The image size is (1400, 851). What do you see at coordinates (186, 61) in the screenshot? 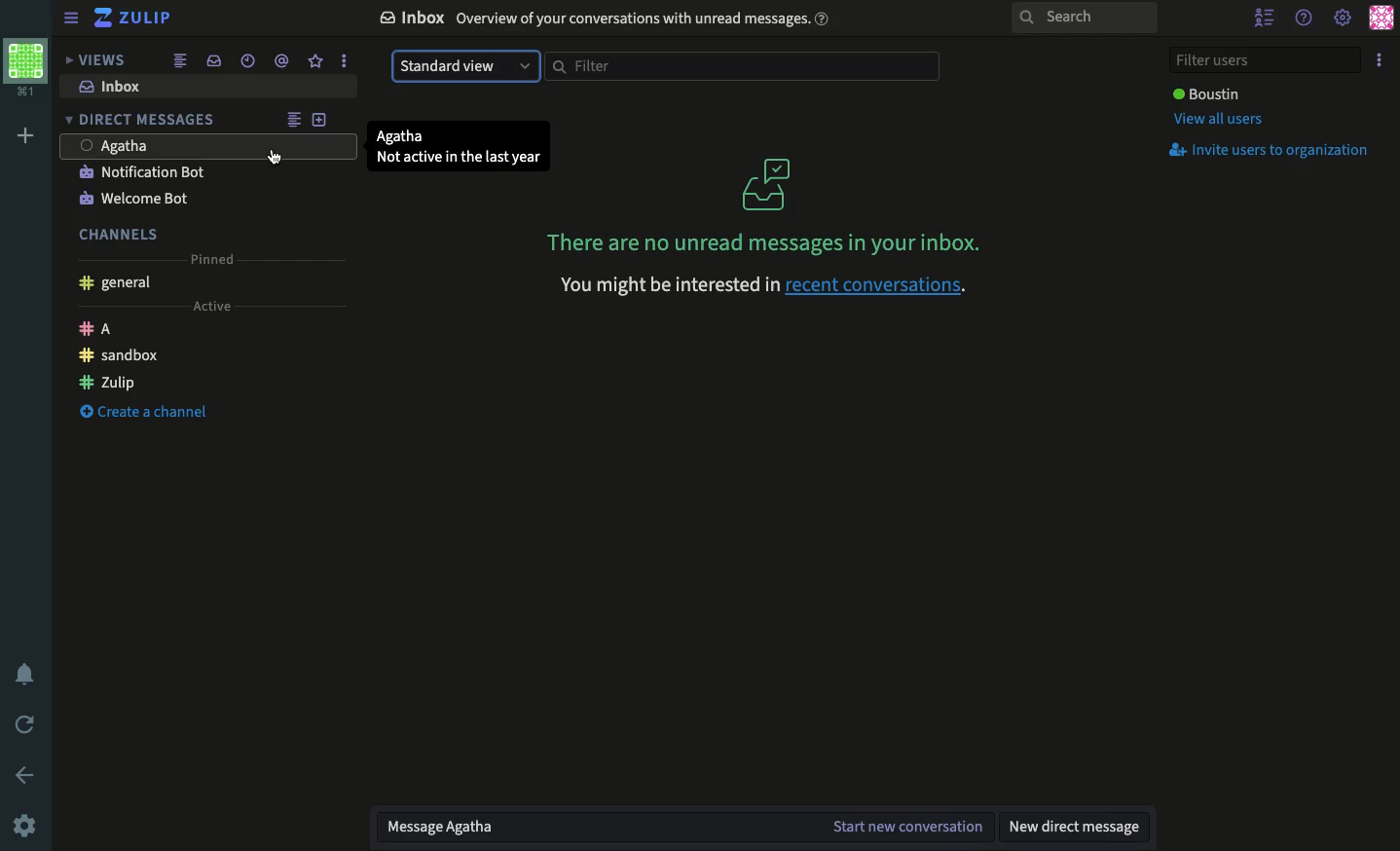
I see `Feed` at bounding box center [186, 61].